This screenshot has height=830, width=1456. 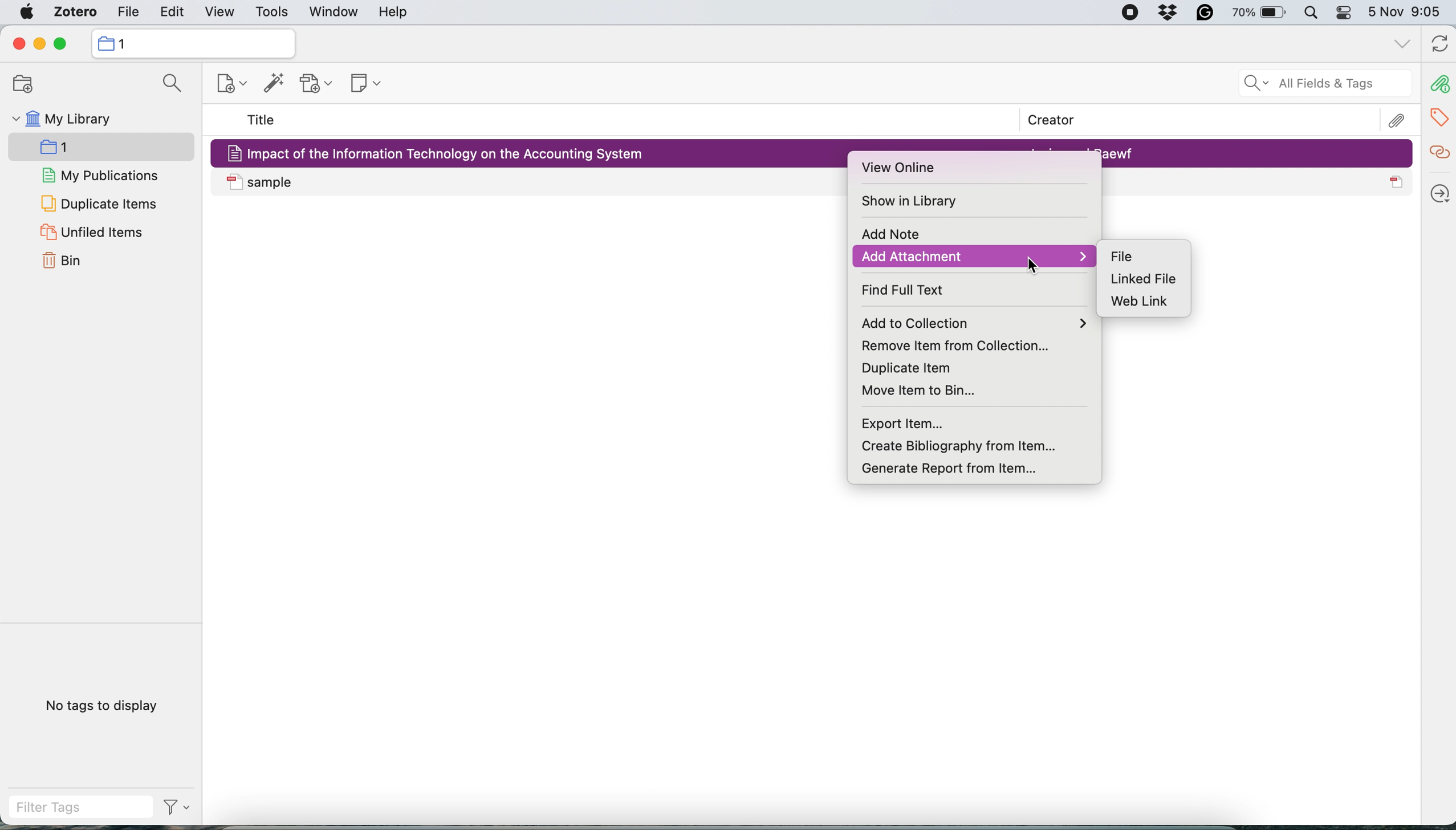 What do you see at coordinates (967, 344) in the screenshot?
I see `remove item from collection` at bounding box center [967, 344].